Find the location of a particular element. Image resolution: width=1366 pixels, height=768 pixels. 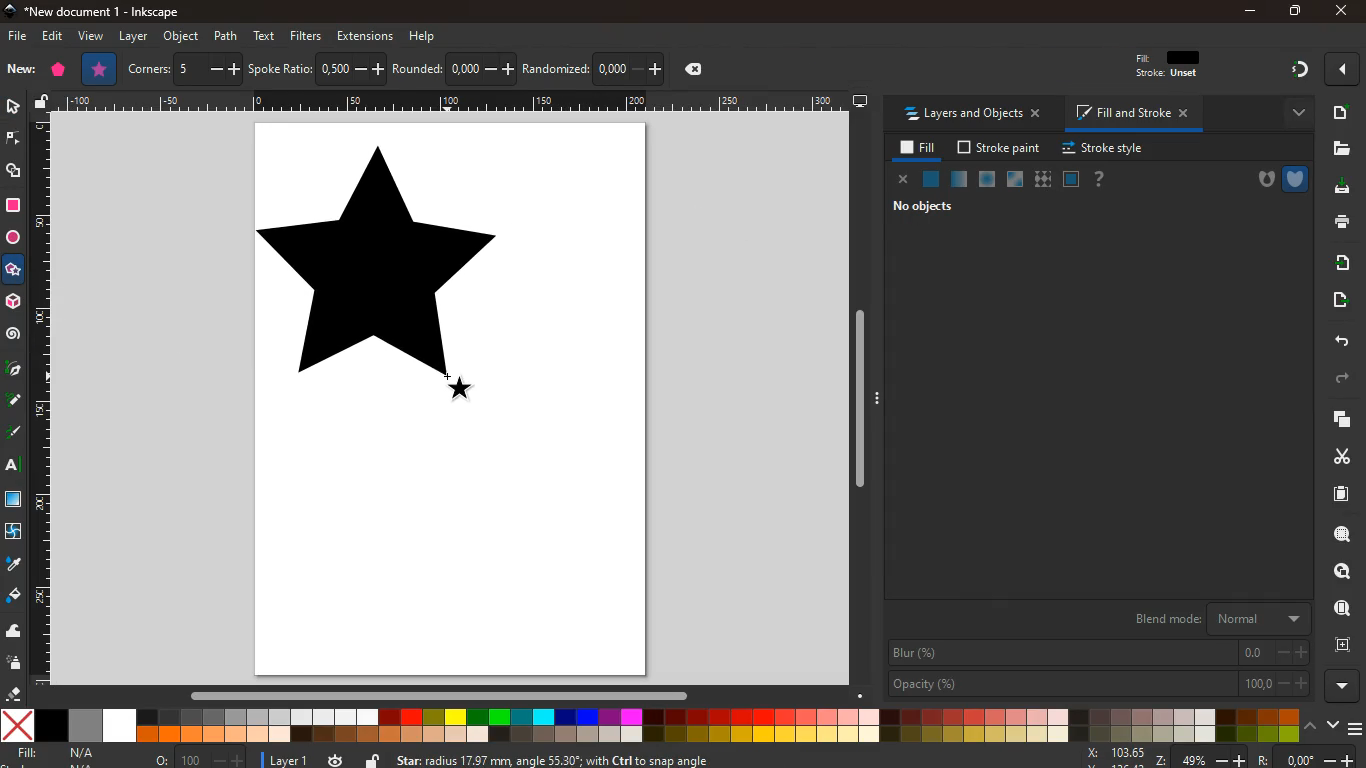

stroke style is located at coordinates (1106, 149).